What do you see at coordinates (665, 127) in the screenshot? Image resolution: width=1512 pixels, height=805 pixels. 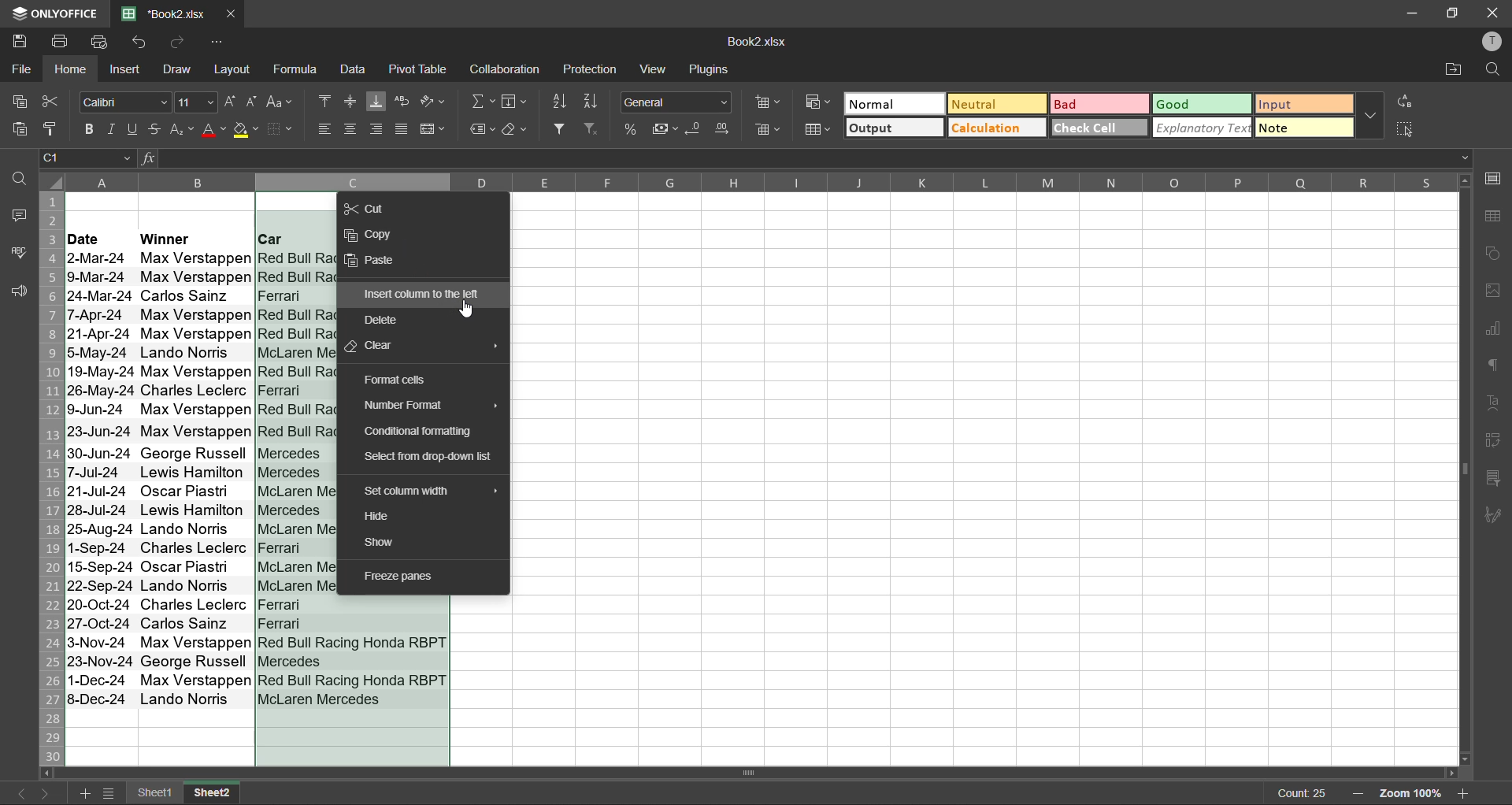 I see `accounting` at bounding box center [665, 127].